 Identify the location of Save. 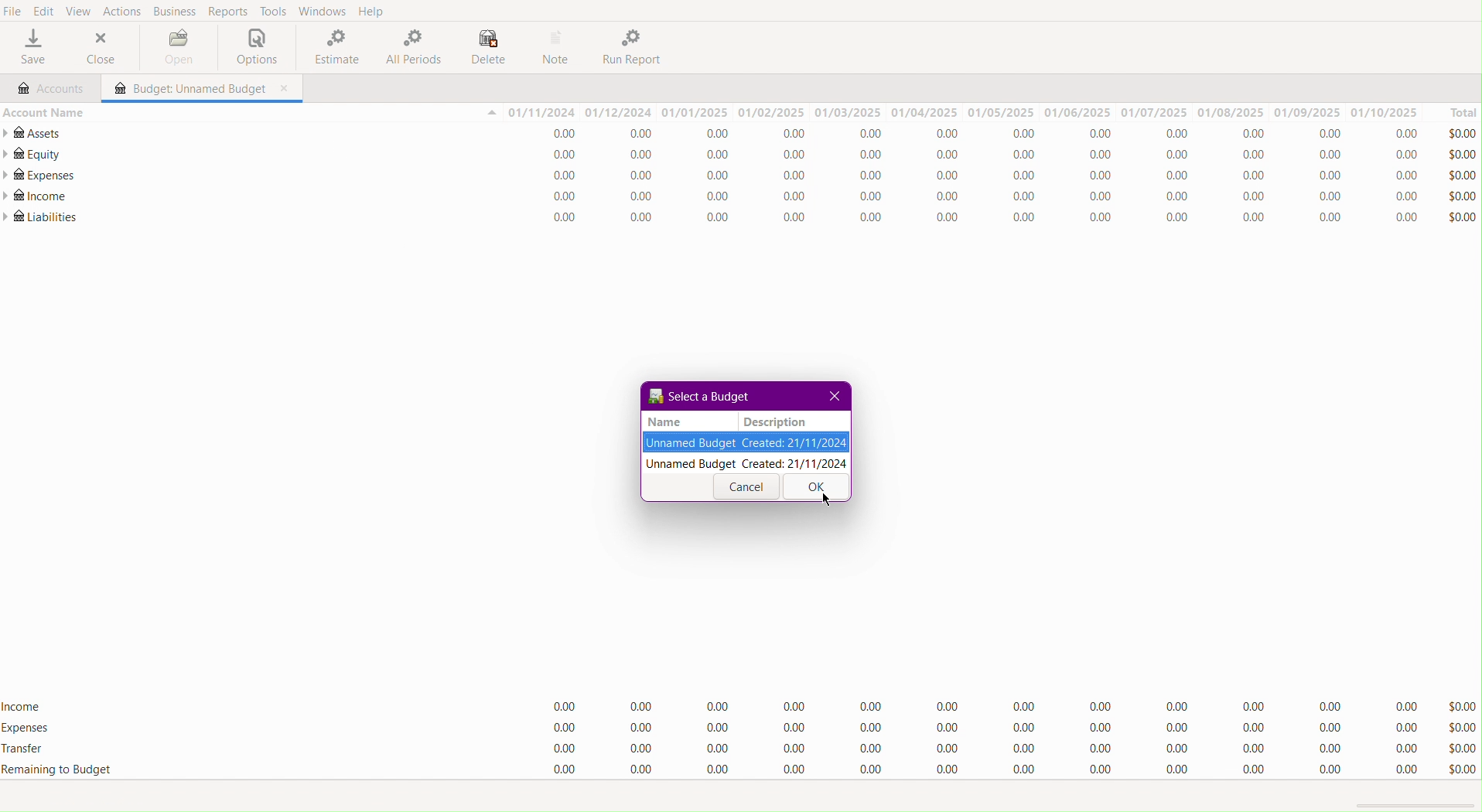
(32, 49).